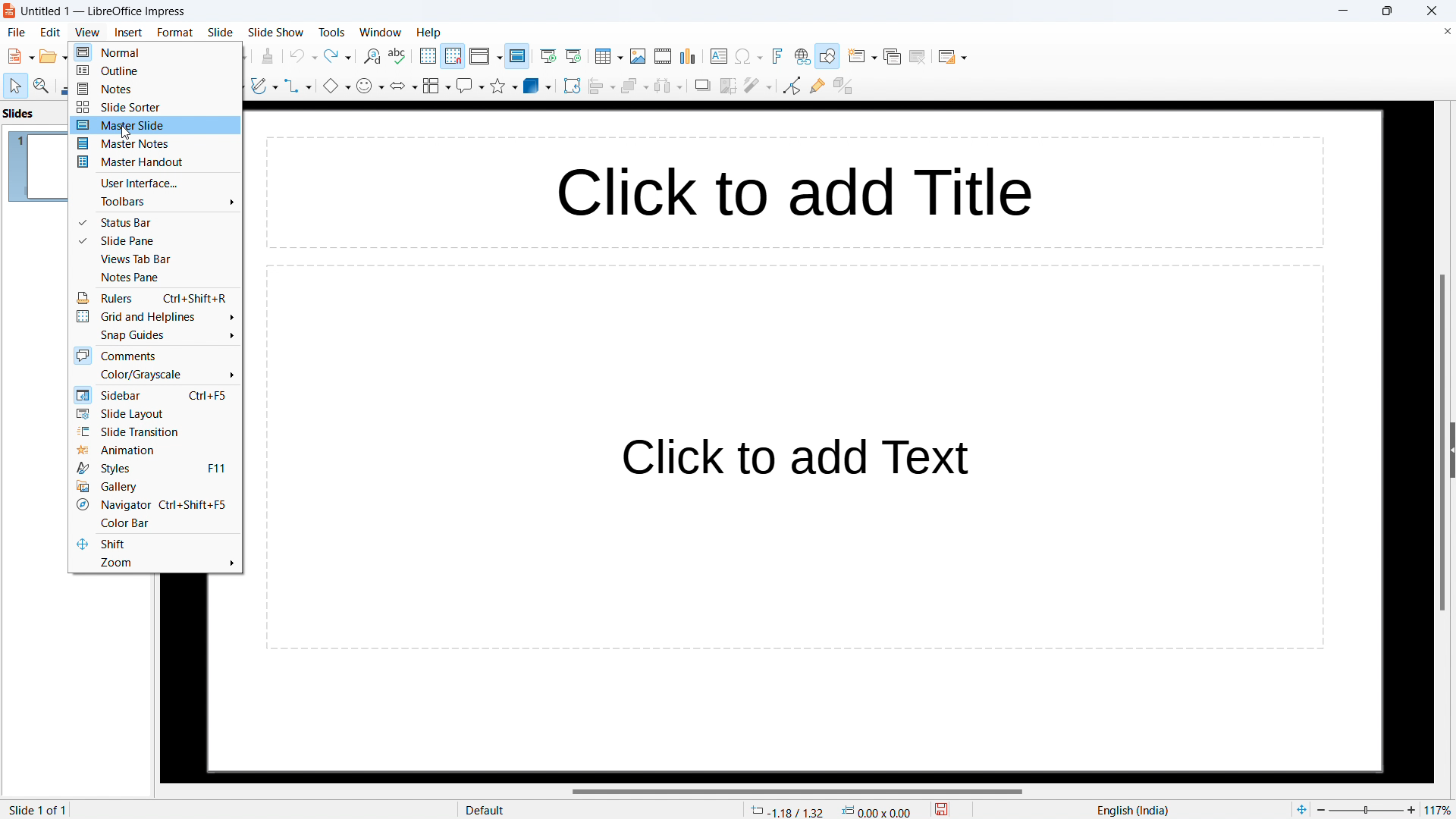  Describe the element at coordinates (155, 468) in the screenshot. I see `styles` at that location.